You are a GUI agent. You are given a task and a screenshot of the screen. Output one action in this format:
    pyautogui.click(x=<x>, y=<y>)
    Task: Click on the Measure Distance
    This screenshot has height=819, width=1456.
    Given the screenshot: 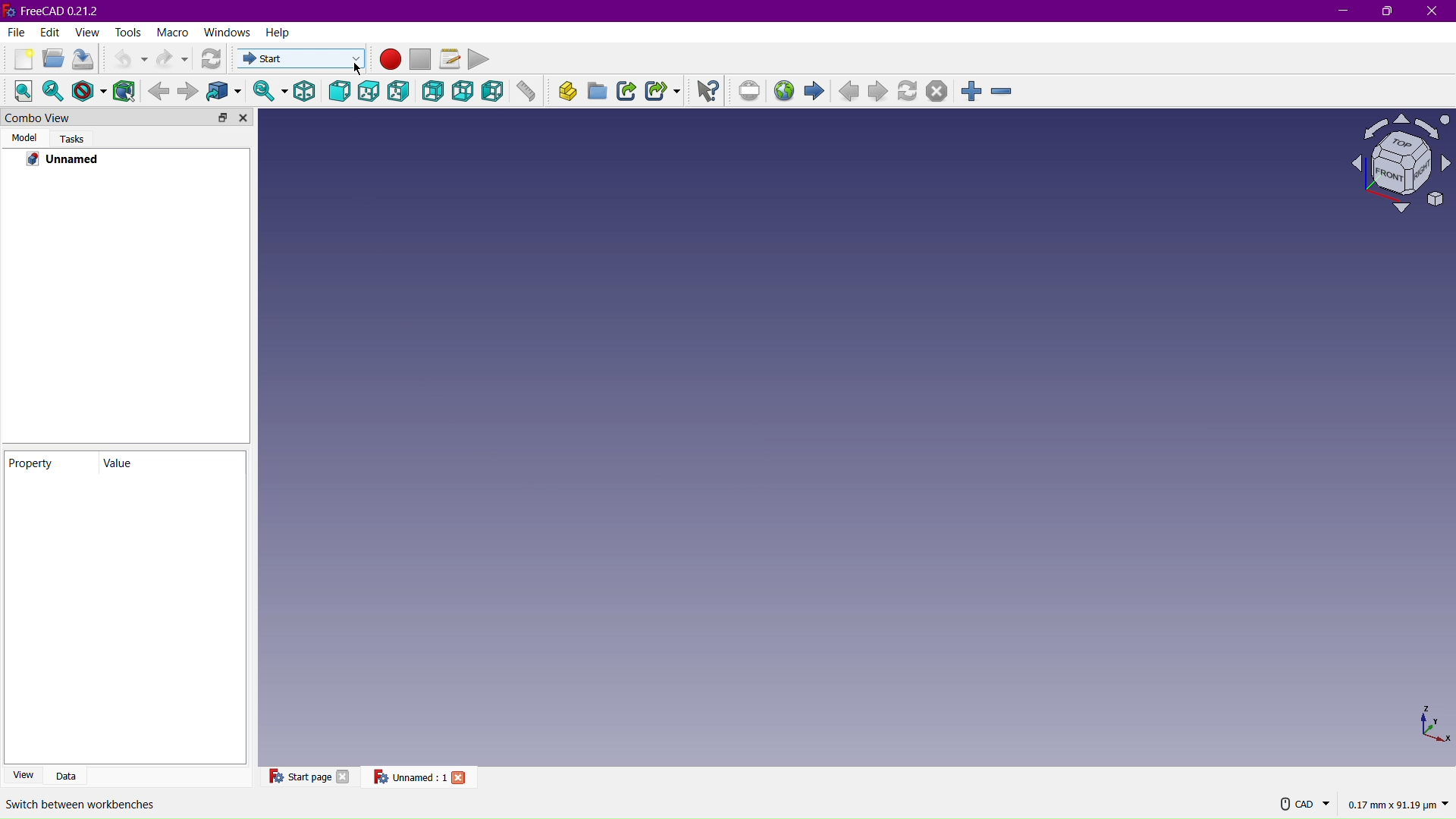 What is the action you would take?
    pyautogui.click(x=526, y=94)
    